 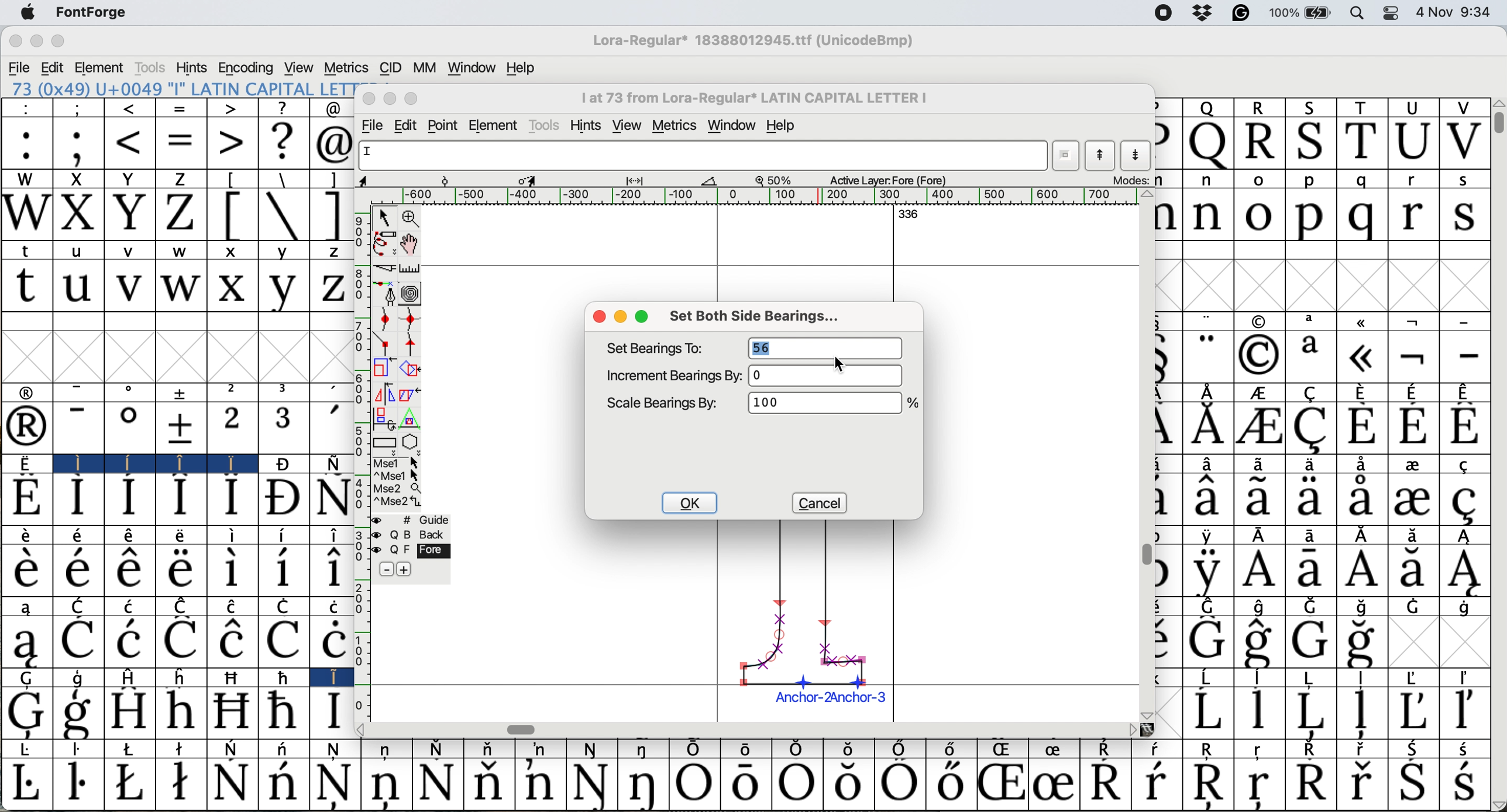 I want to click on Symbol, so click(x=1258, y=355).